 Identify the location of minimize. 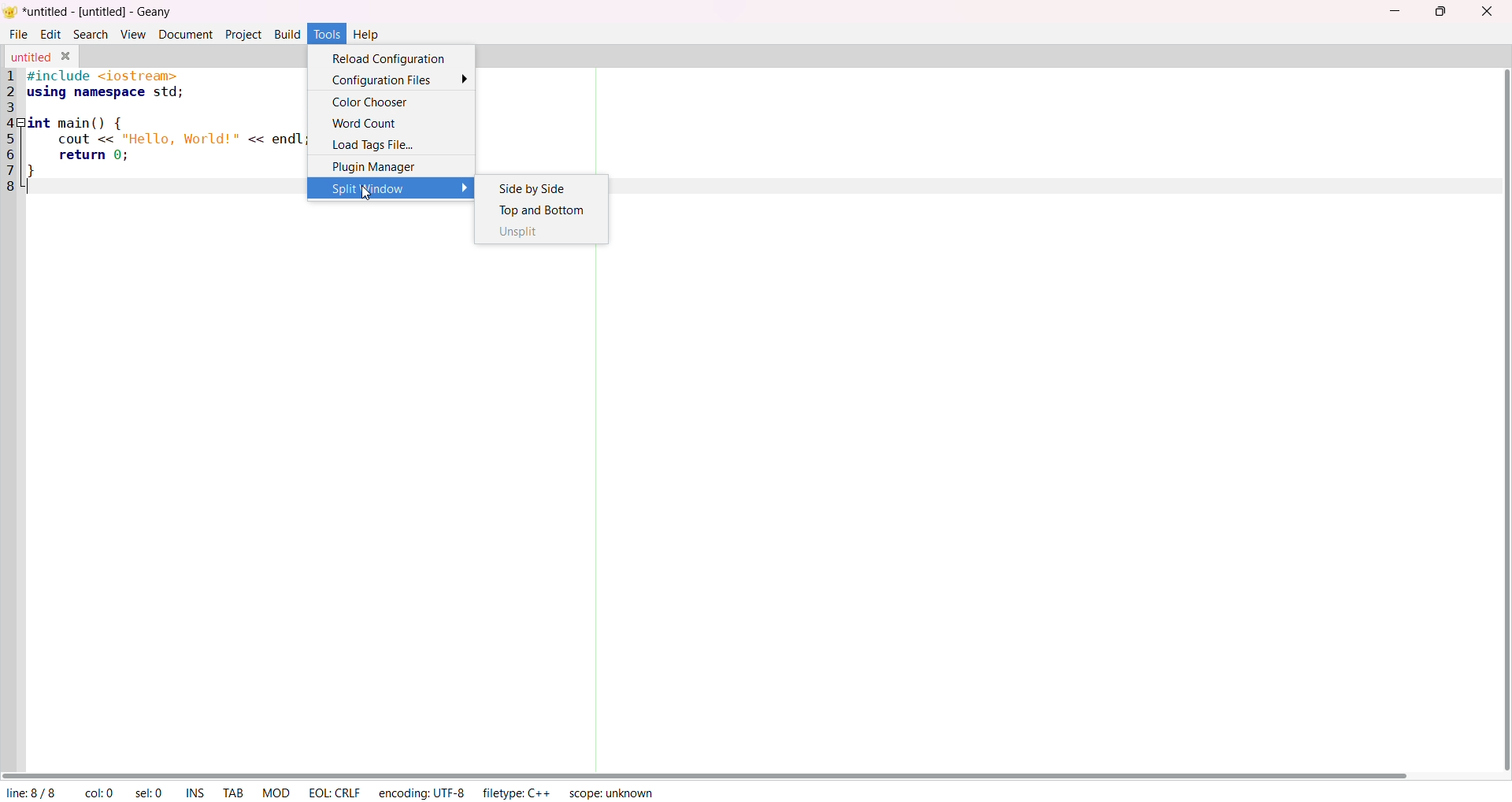
(1392, 13).